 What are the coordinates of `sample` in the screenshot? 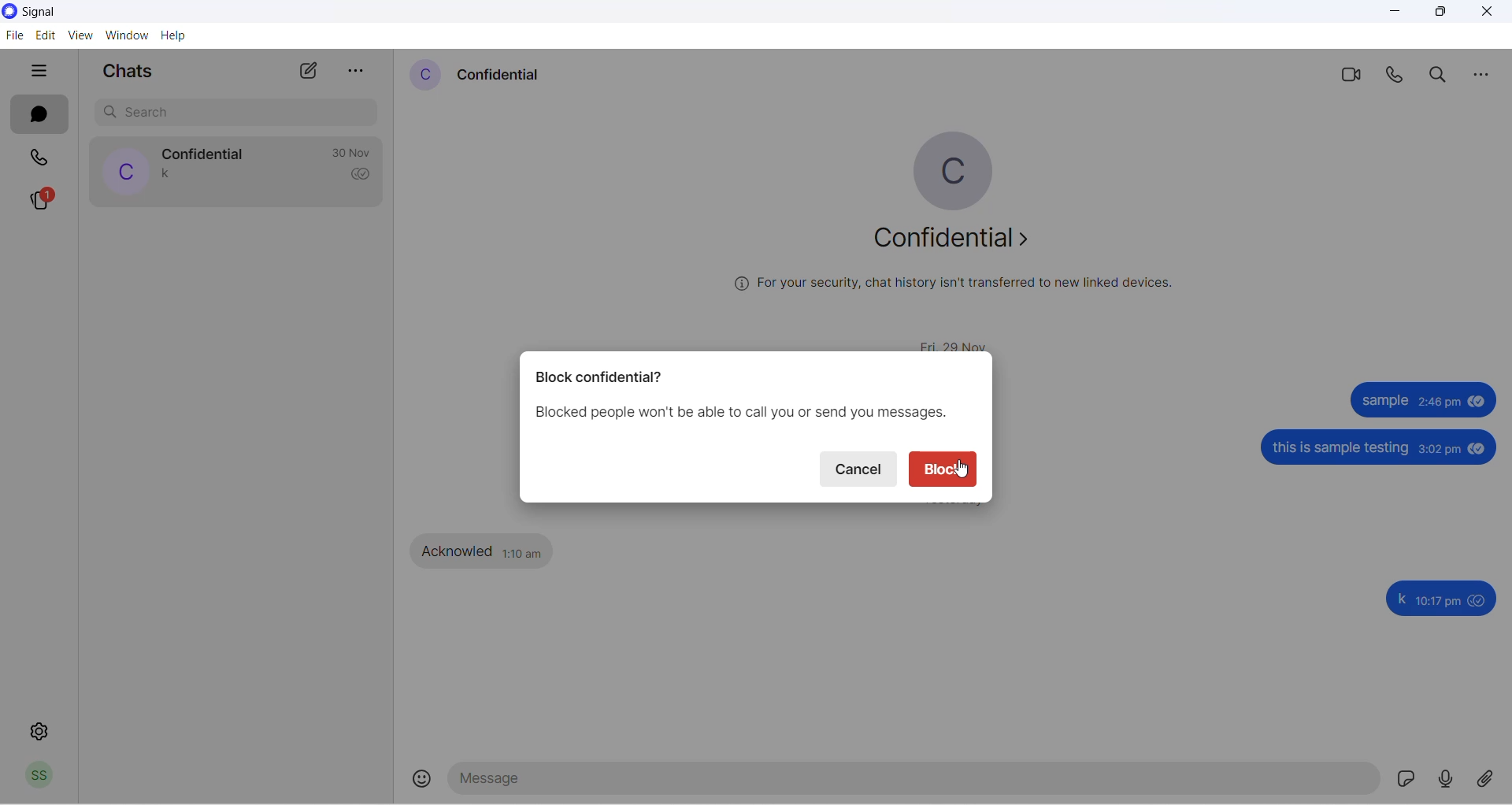 It's located at (1385, 401).